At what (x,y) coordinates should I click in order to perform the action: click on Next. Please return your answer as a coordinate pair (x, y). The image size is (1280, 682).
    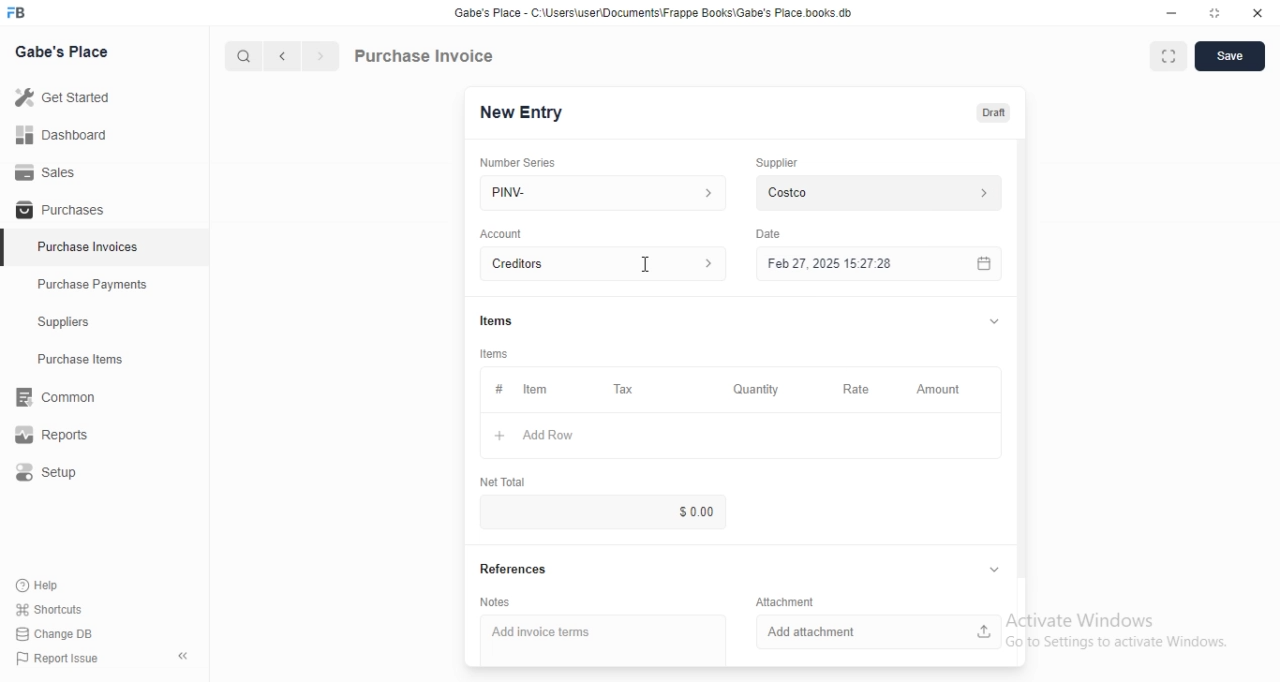
    Looking at the image, I should click on (322, 56).